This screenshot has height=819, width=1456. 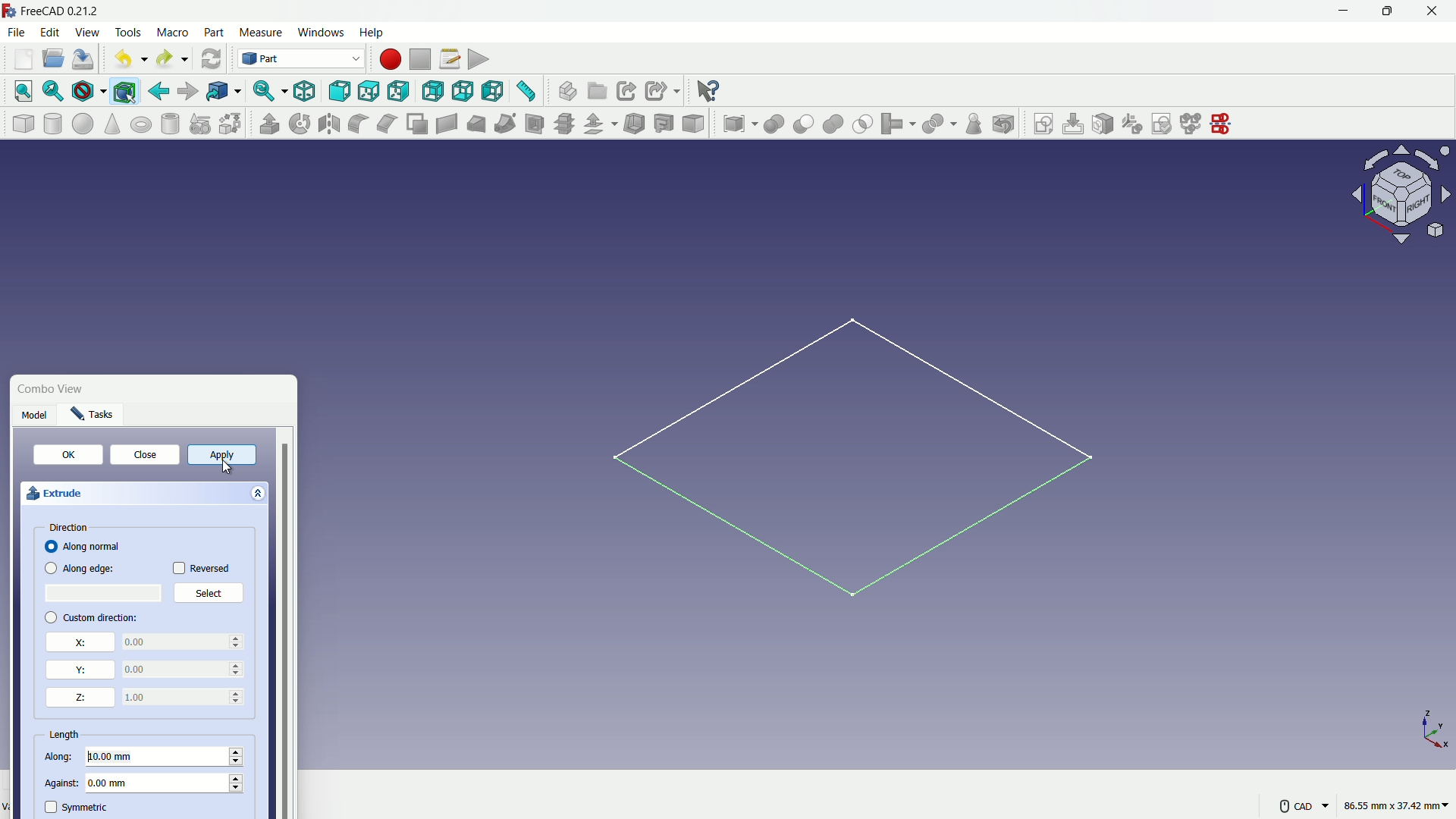 I want to click on compound tool, so click(x=741, y=125).